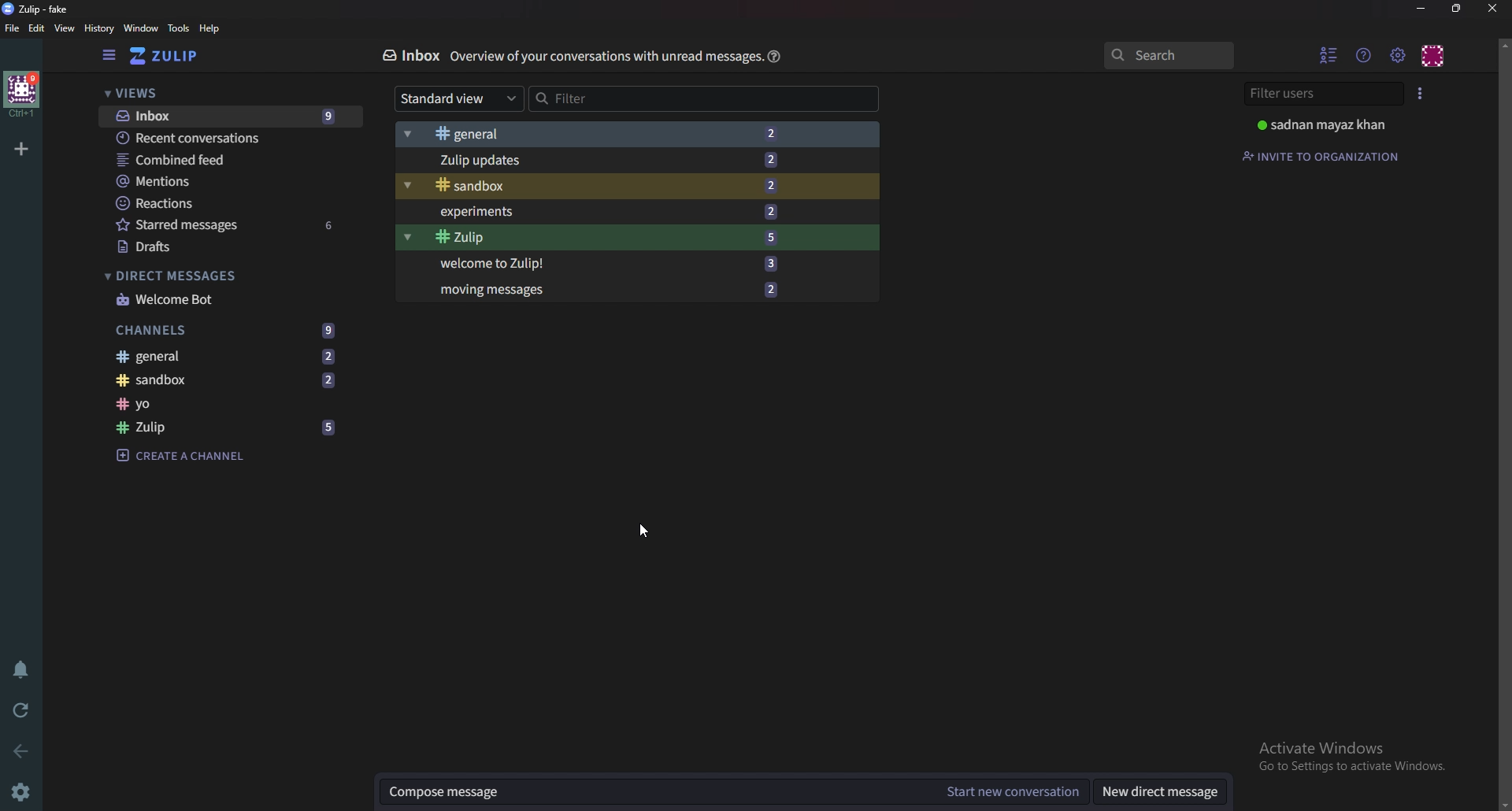  What do you see at coordinates (109, 56) in the screenshot?
I see `hide sidebar` at bounding box center [109, 56].